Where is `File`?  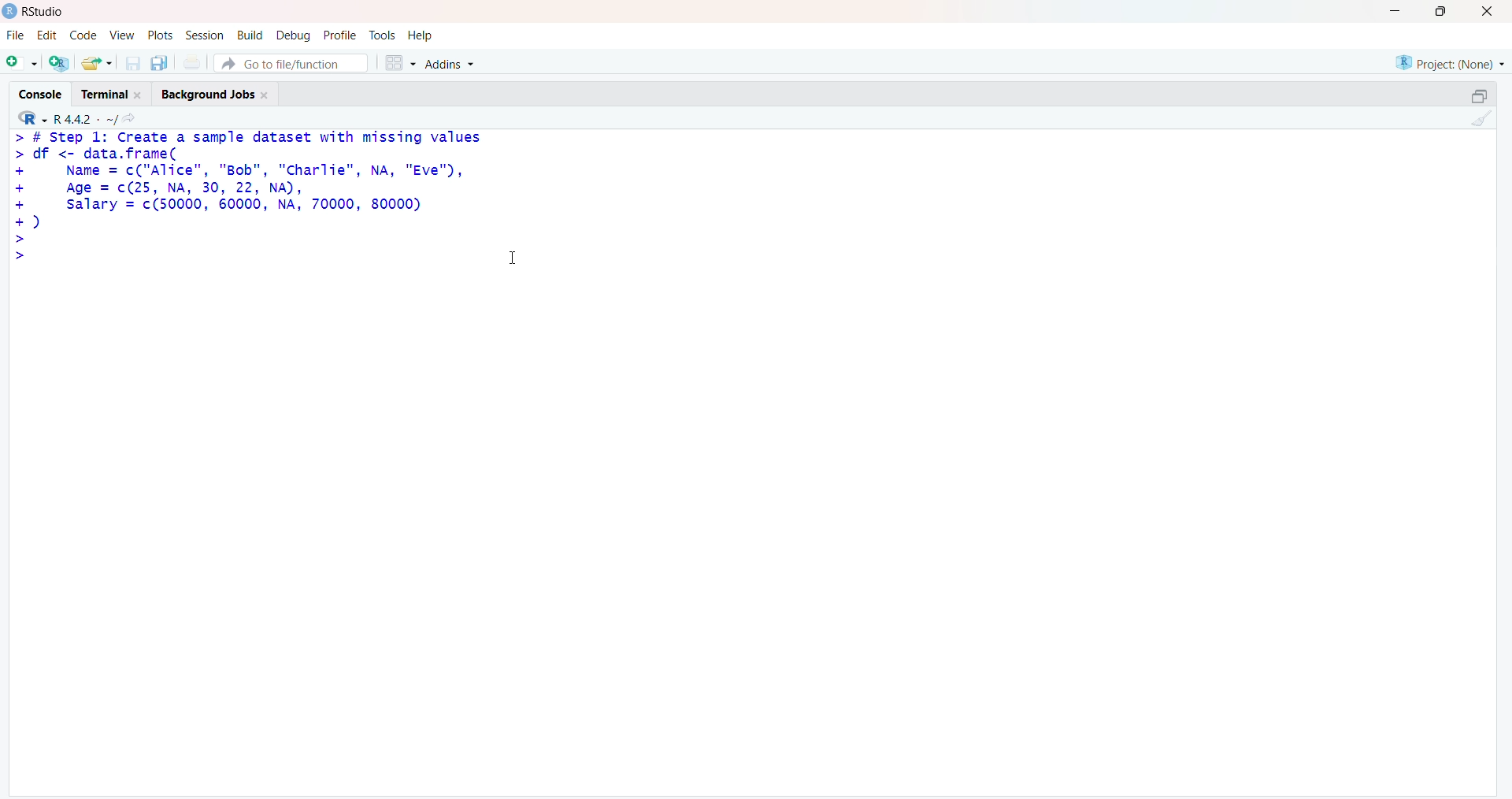
File is located at coordinates (16, 35).